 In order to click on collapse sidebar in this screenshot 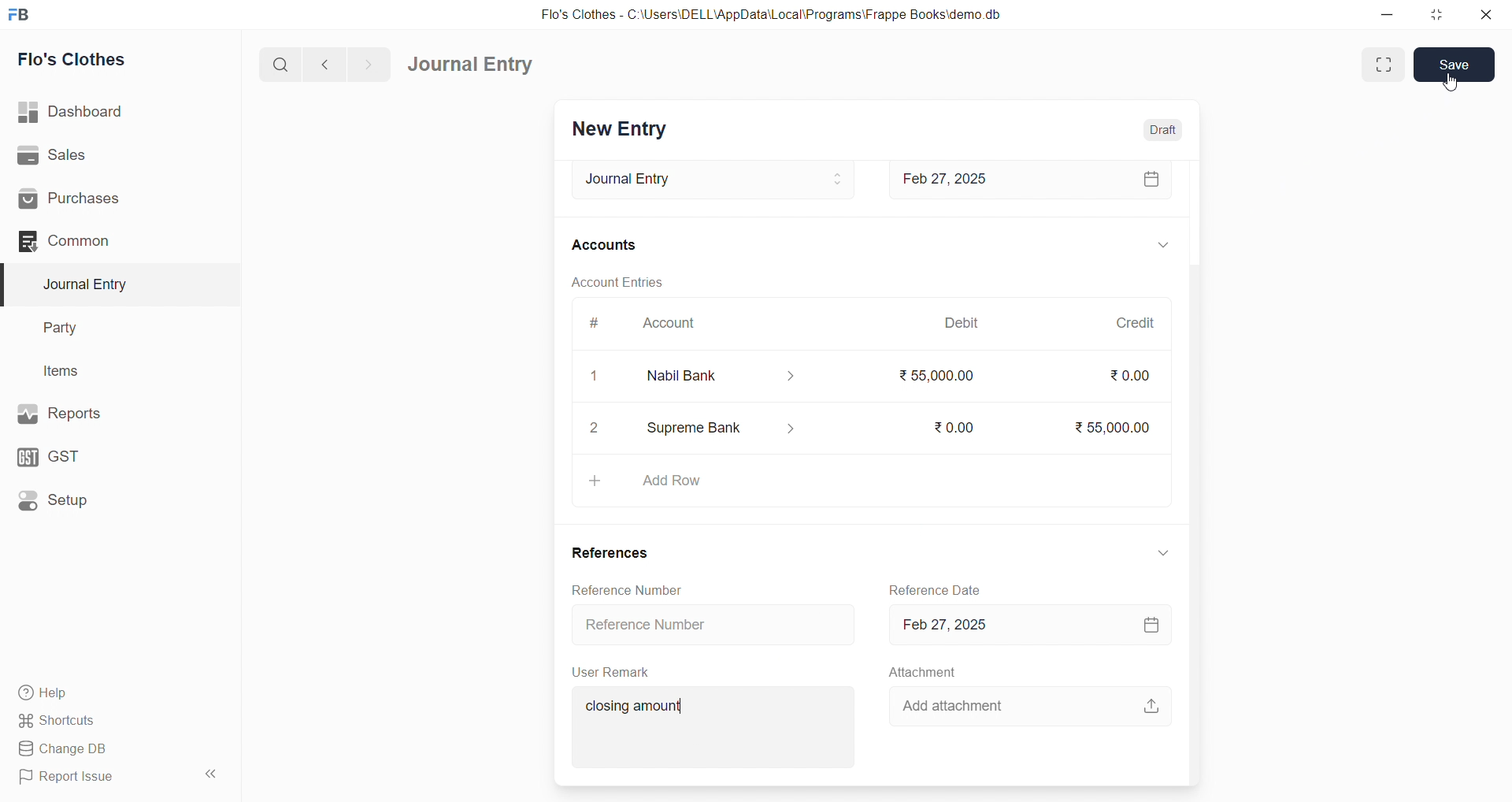, I will do `click(213, 774)`.